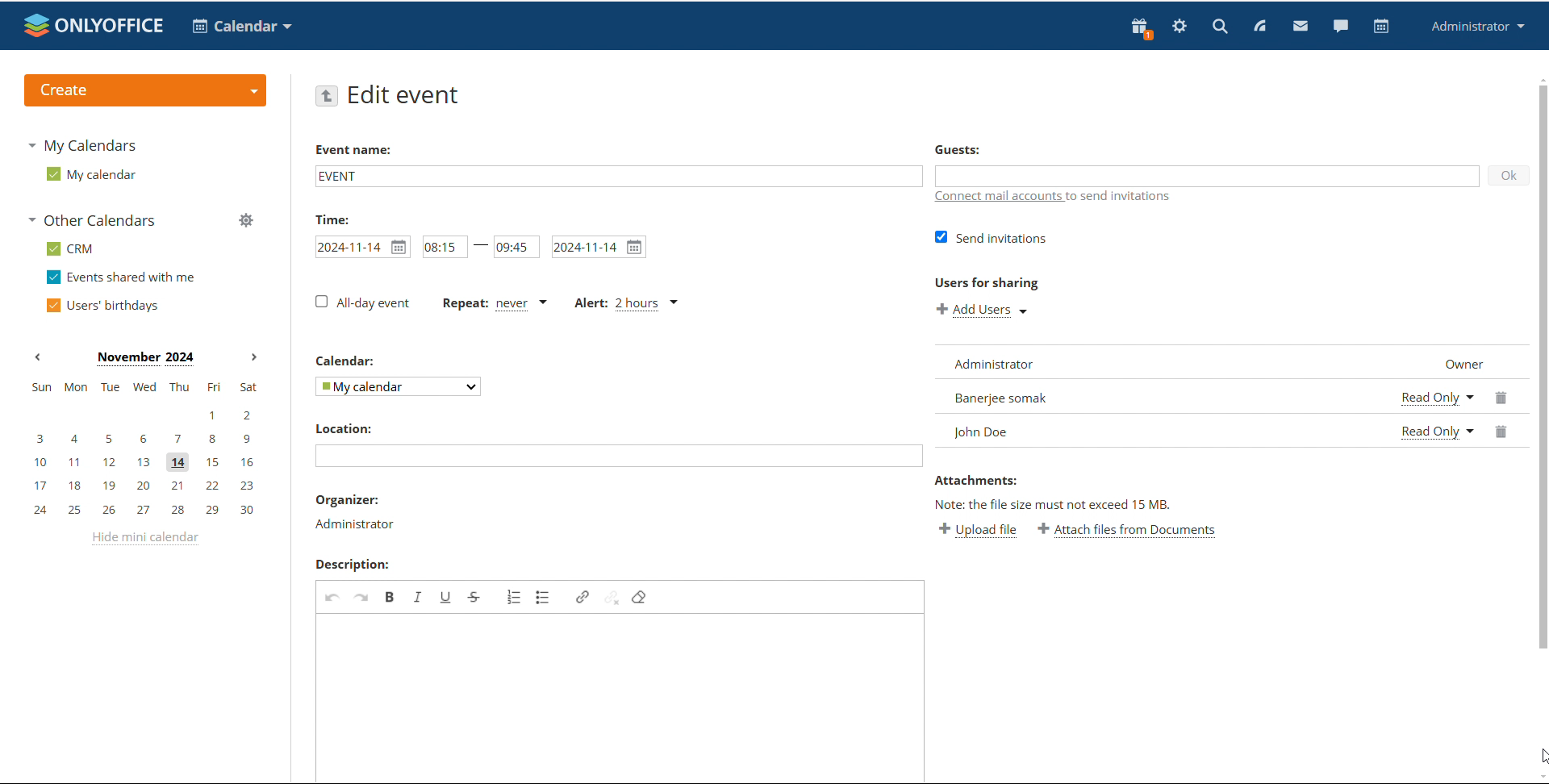 Image resolution: width=1549 pixels, height=784 pixels. I want to click on my calendar, so click(92, 173).